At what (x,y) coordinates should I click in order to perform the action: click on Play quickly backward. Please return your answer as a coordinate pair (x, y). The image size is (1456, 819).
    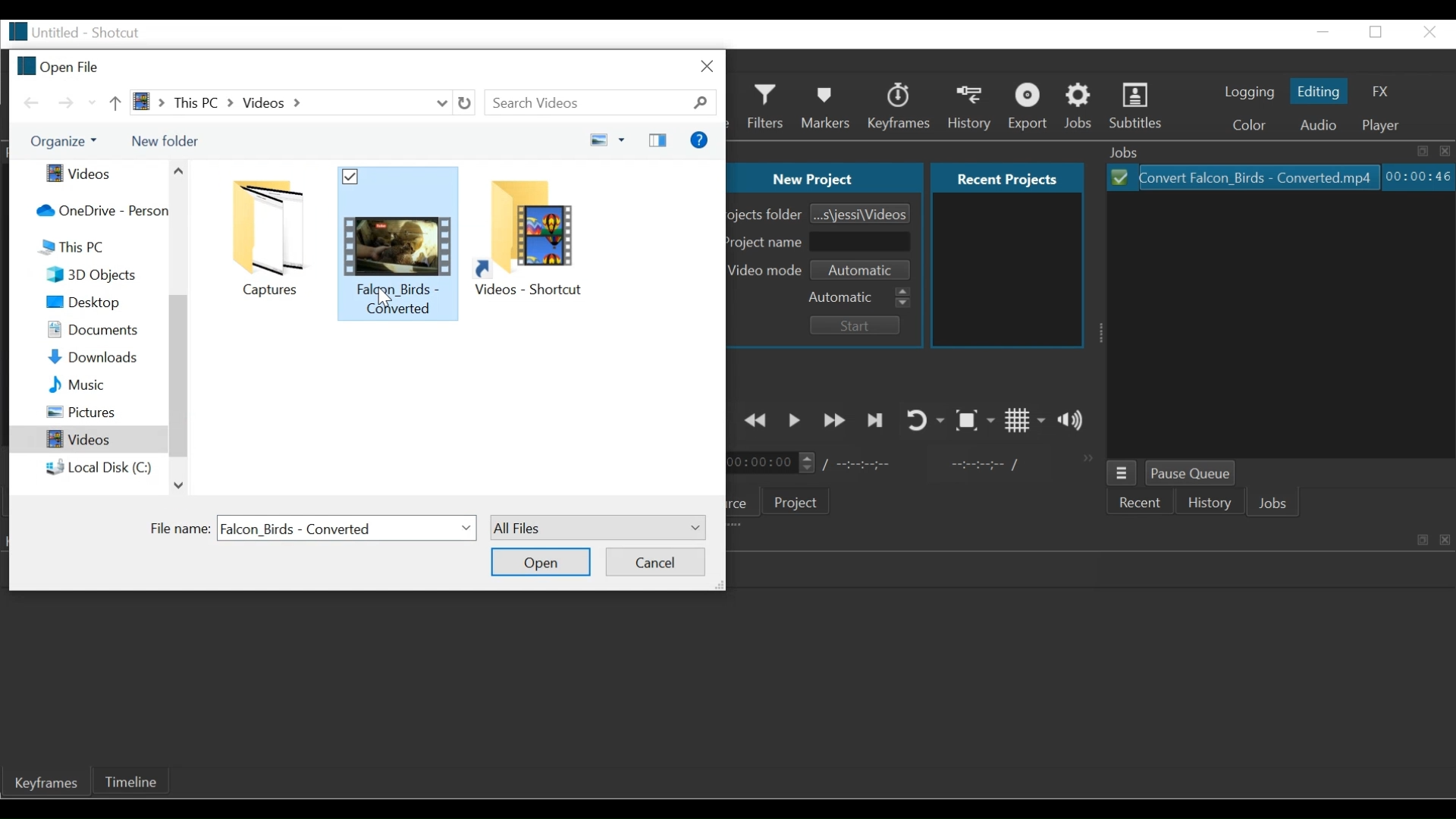
    Looking at the image, I should click on (755, 419).